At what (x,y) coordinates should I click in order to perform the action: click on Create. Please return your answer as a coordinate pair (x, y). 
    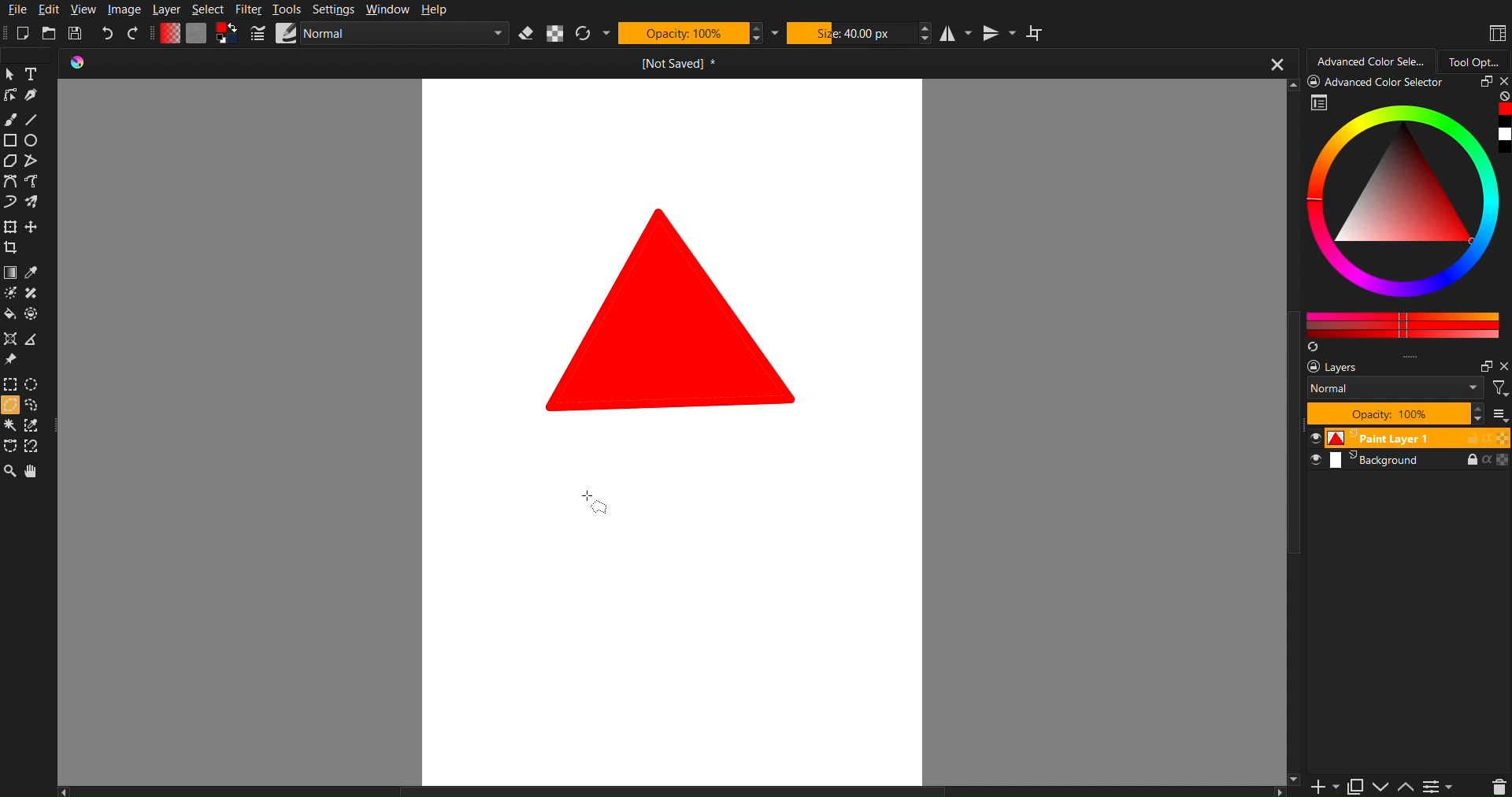
    Looking at the image, I should click on (33, 228).